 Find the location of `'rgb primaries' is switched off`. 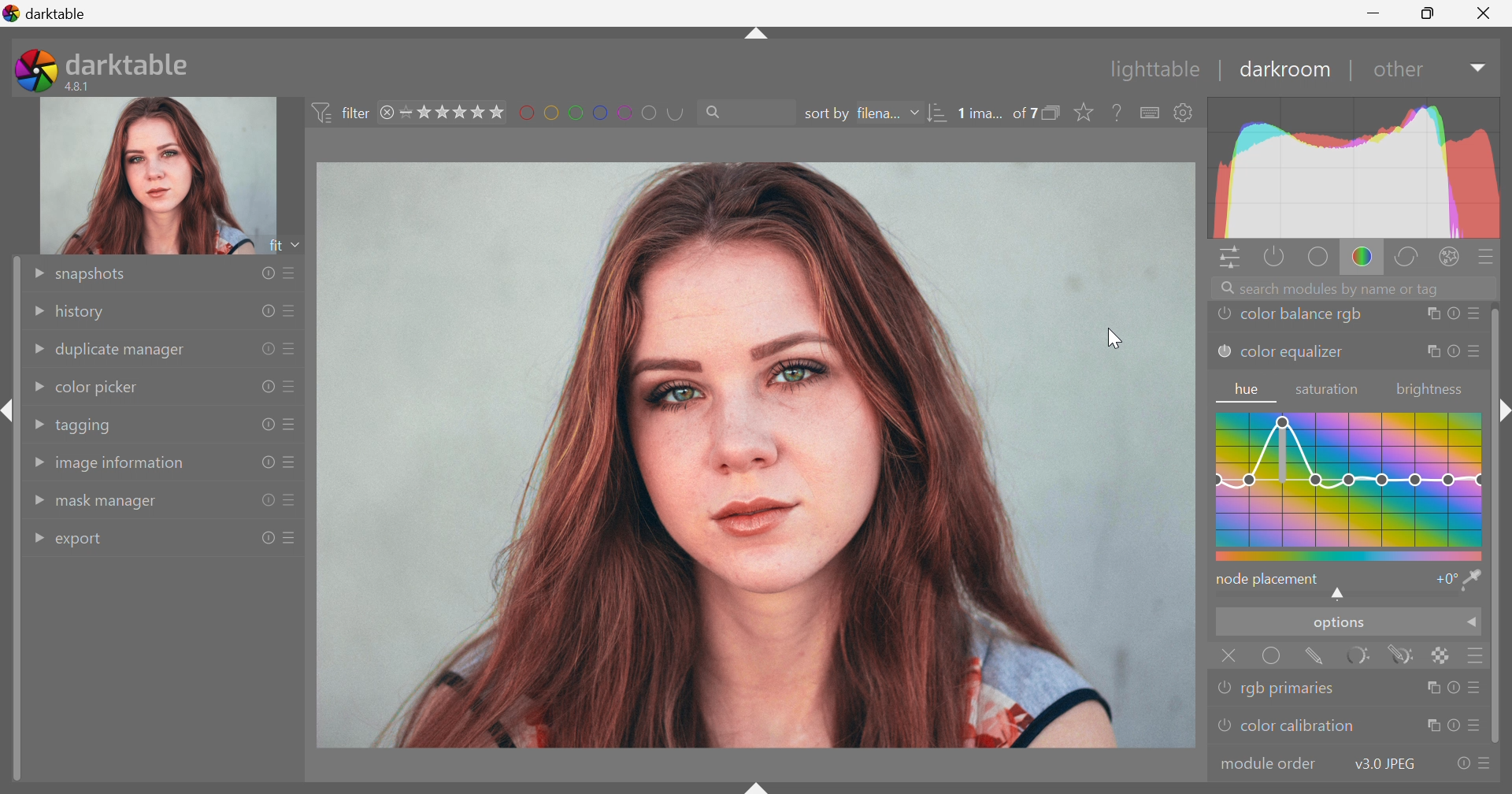

'rgb primaries' is switched off is located at coordinates (1225, 686).